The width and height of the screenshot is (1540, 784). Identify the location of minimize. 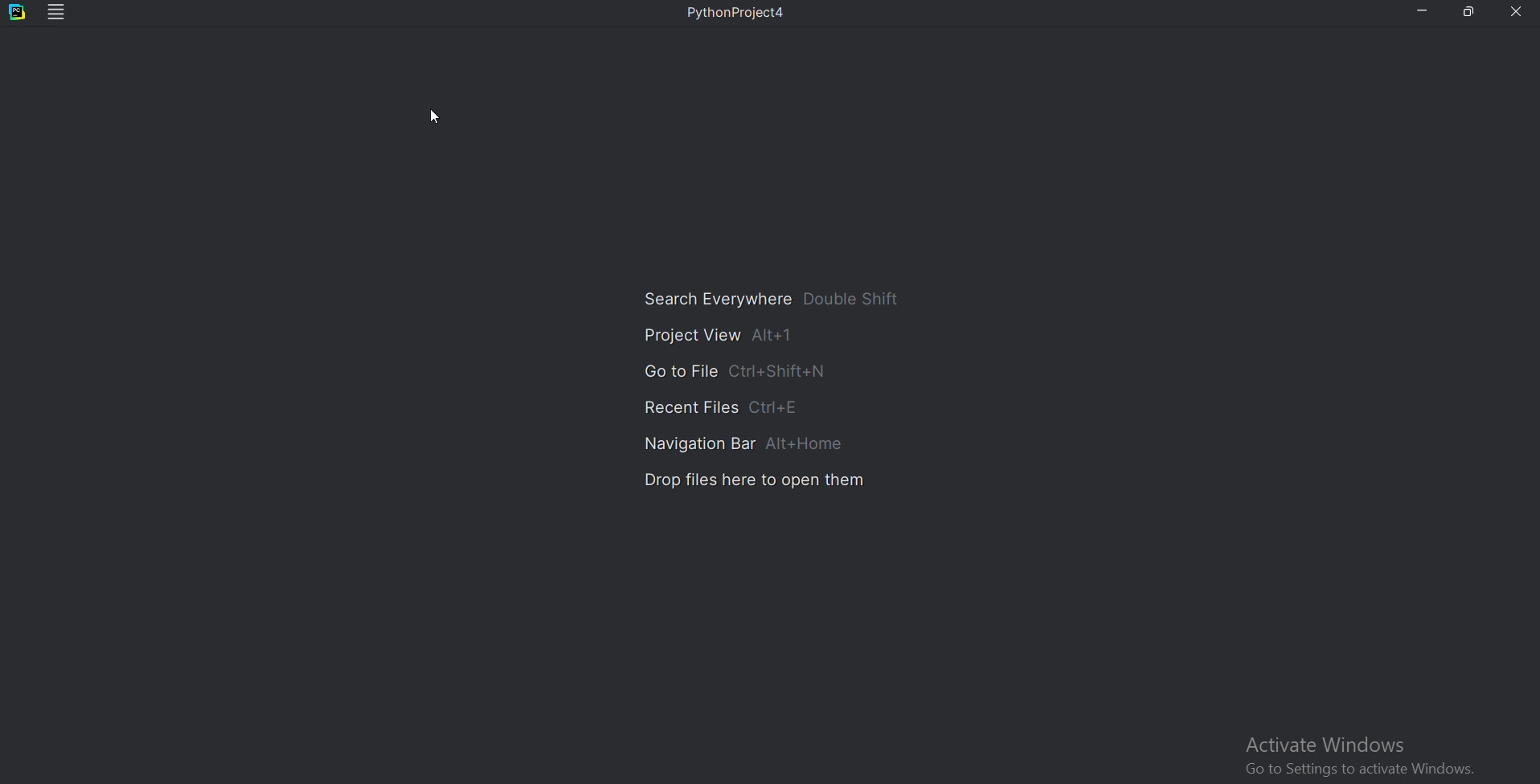
(1423, 12).